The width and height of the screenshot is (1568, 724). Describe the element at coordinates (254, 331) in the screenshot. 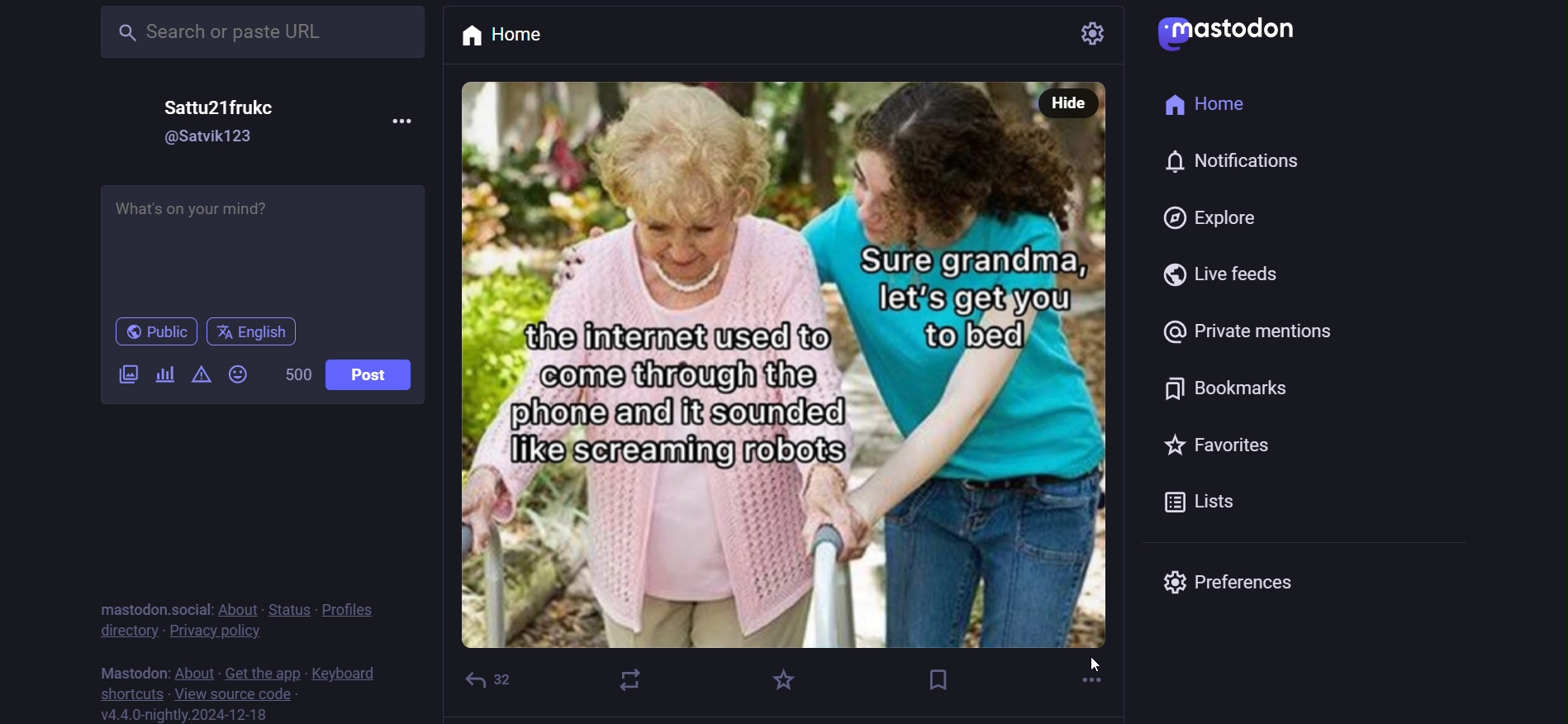

I see `english` at that location.